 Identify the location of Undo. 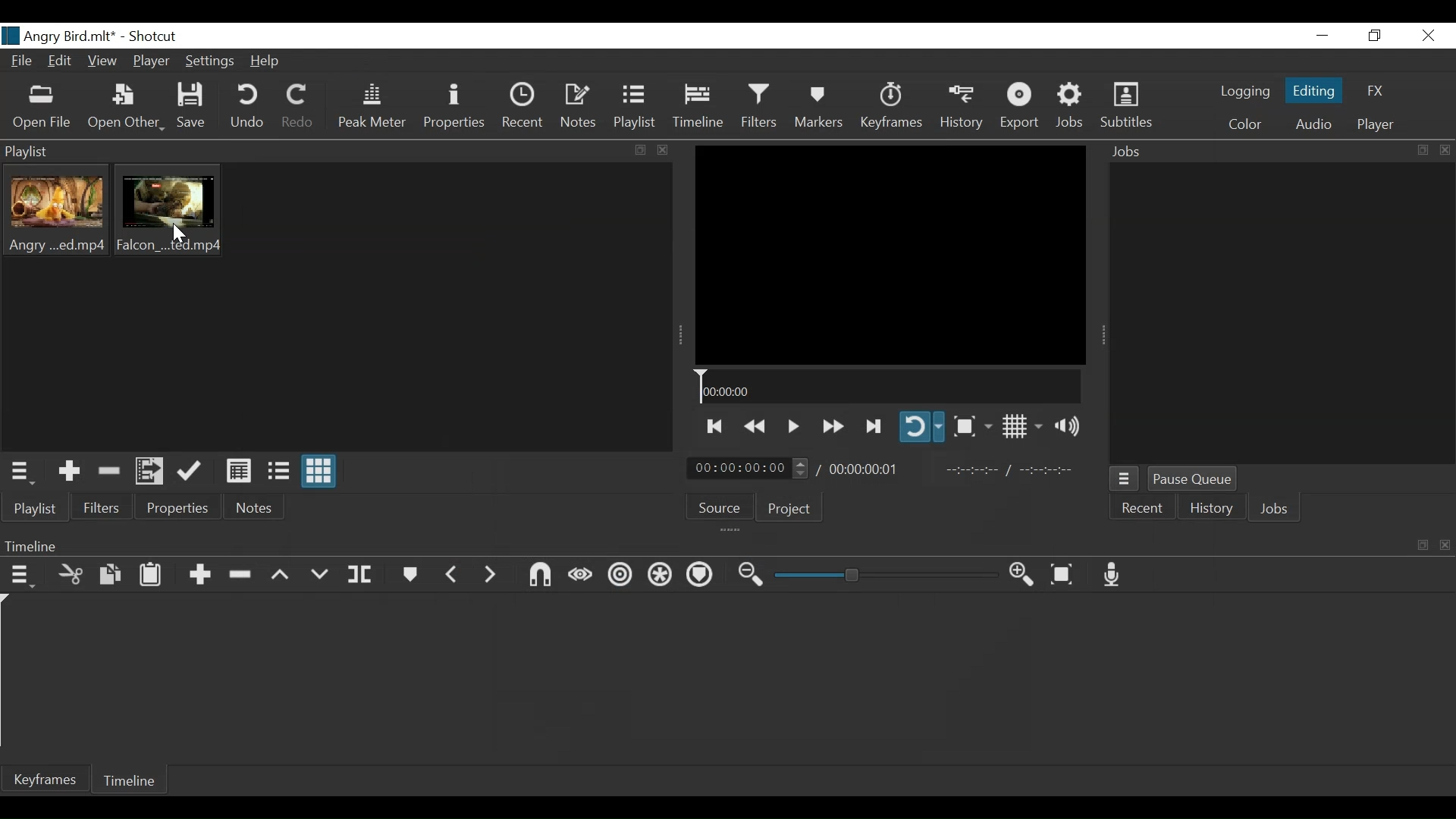
(249, 106).